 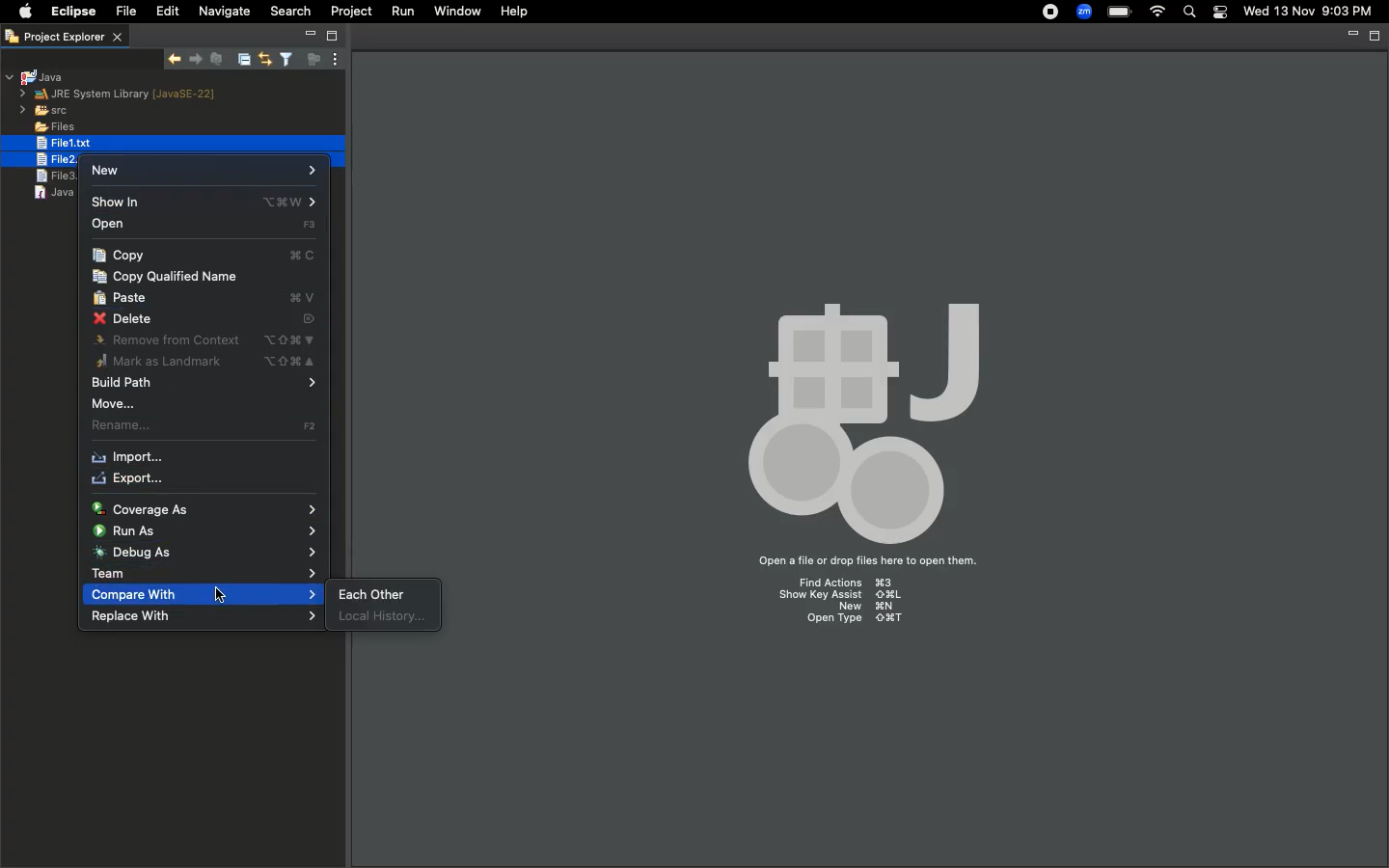 What do you see at coordinates (207, 255) in the screenshot?
I see `Copy` at bounding box center [207, 255].